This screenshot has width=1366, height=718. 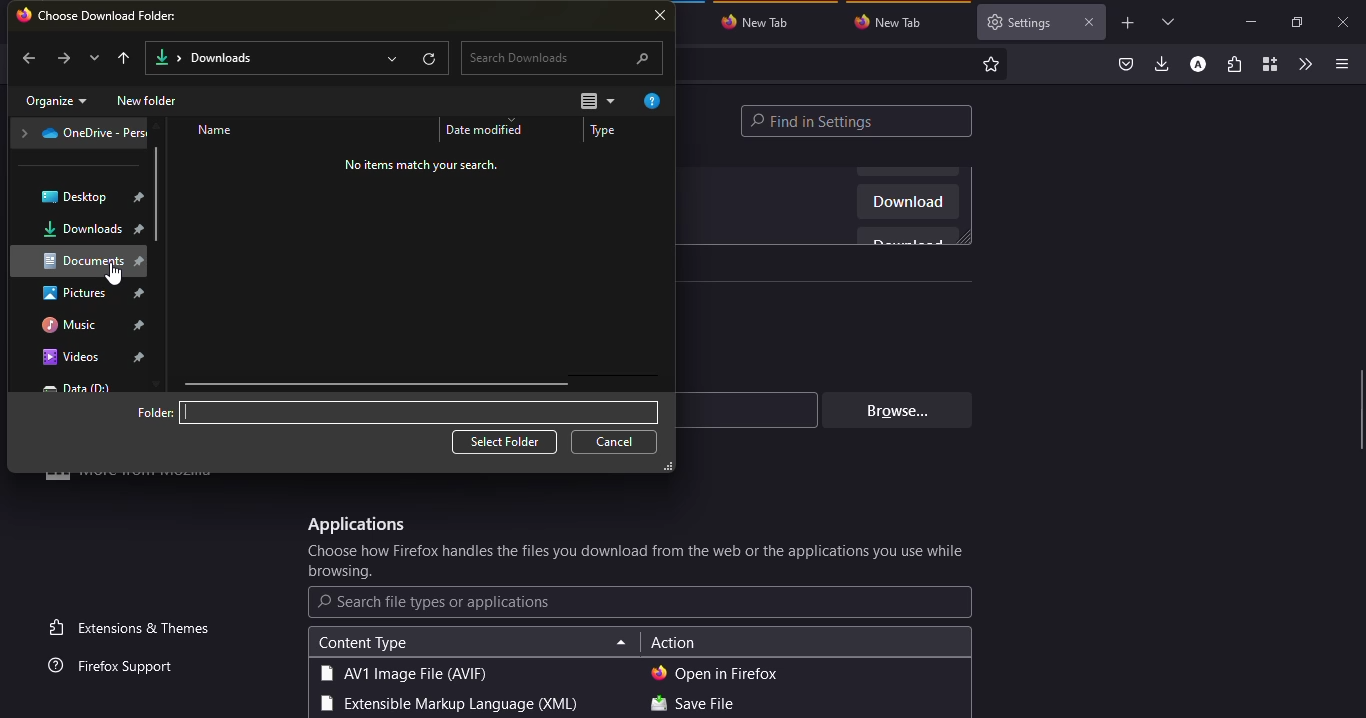 I want to click on save to pocket, so click(x=1126, y=65).